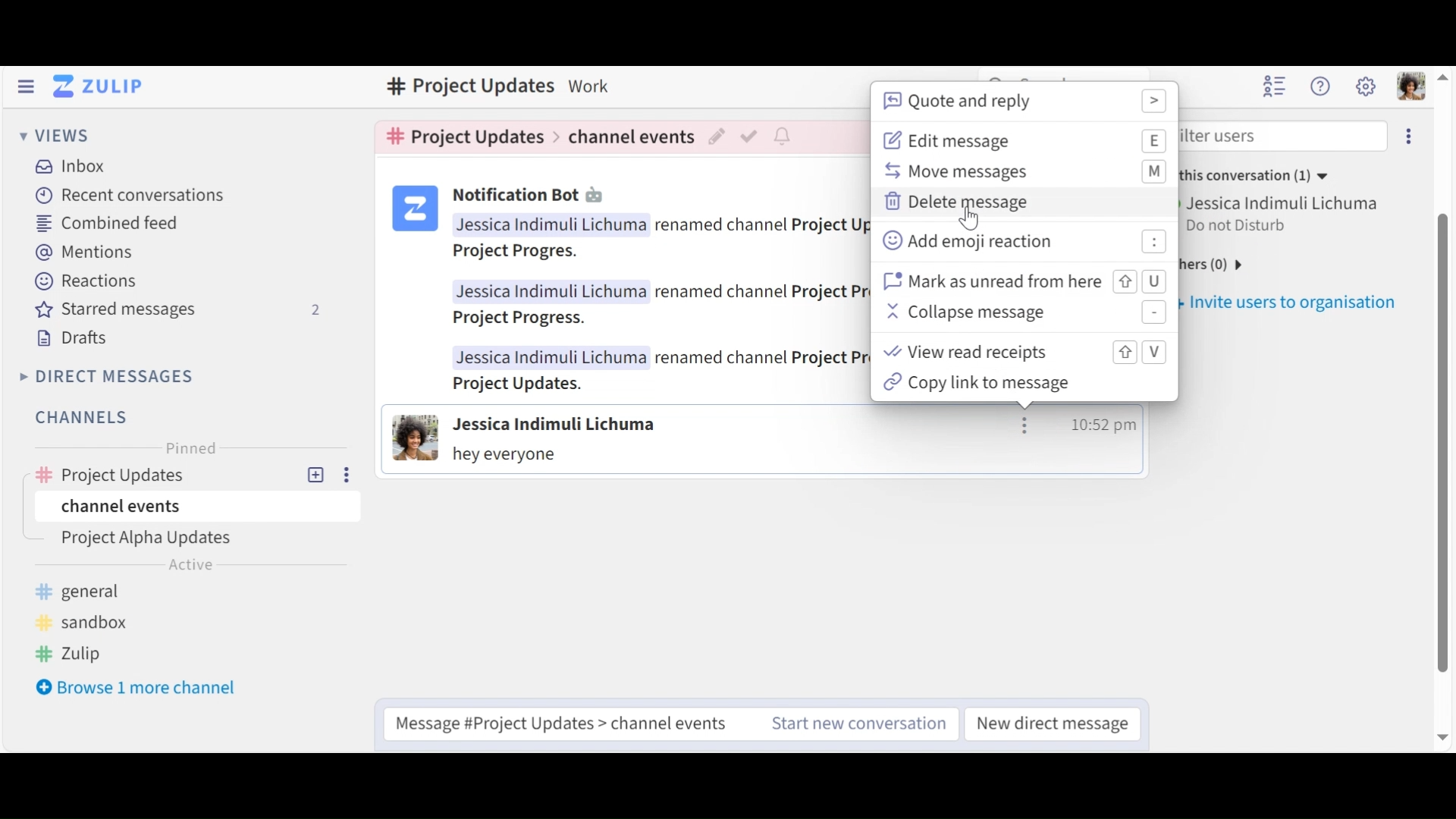  Describe the element at coordinates (27, 86) in the screenshot. I see `Hide Left Sidebar` at that location.